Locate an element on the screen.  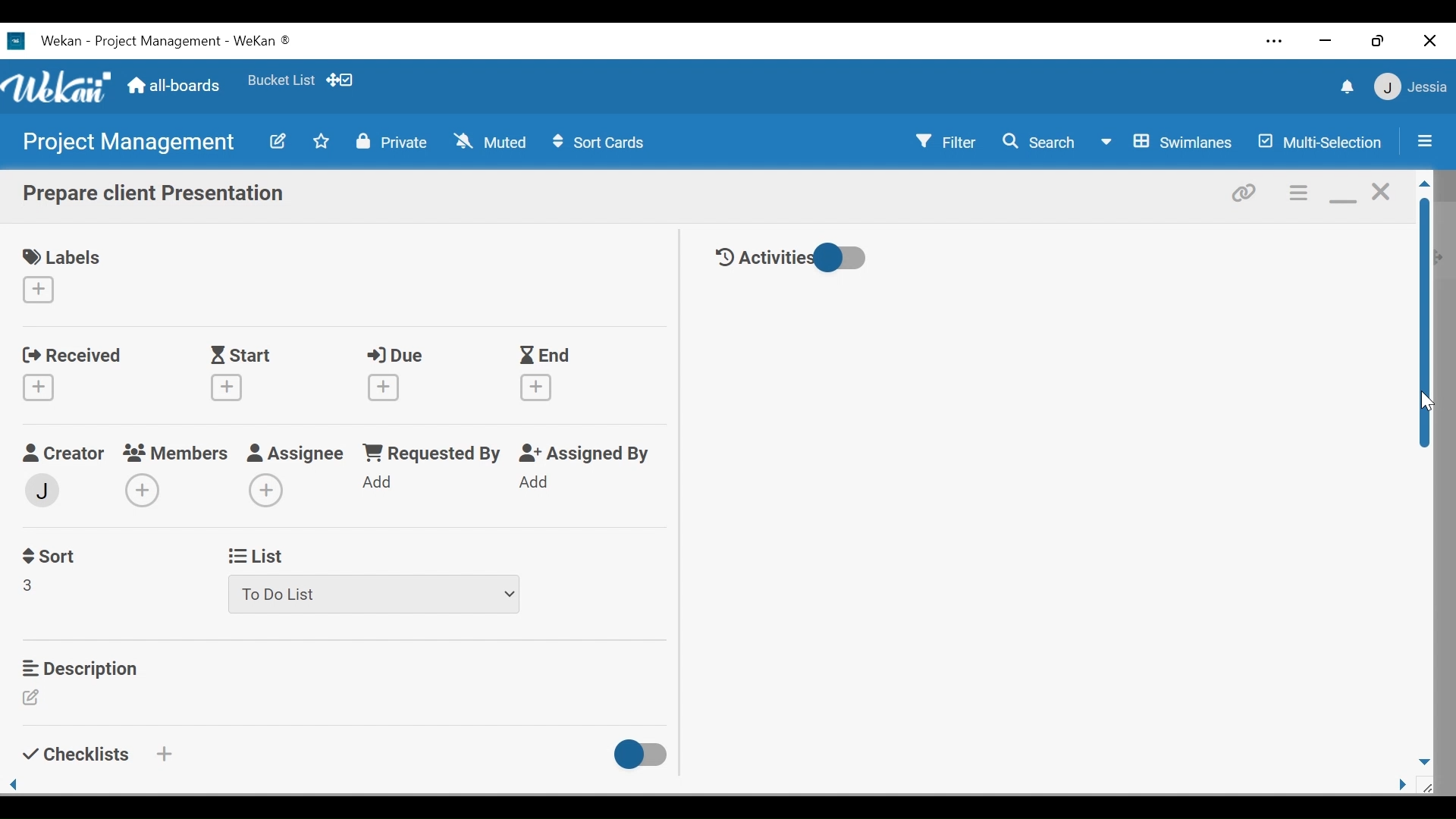
Field is located at coordinates (30, 585).